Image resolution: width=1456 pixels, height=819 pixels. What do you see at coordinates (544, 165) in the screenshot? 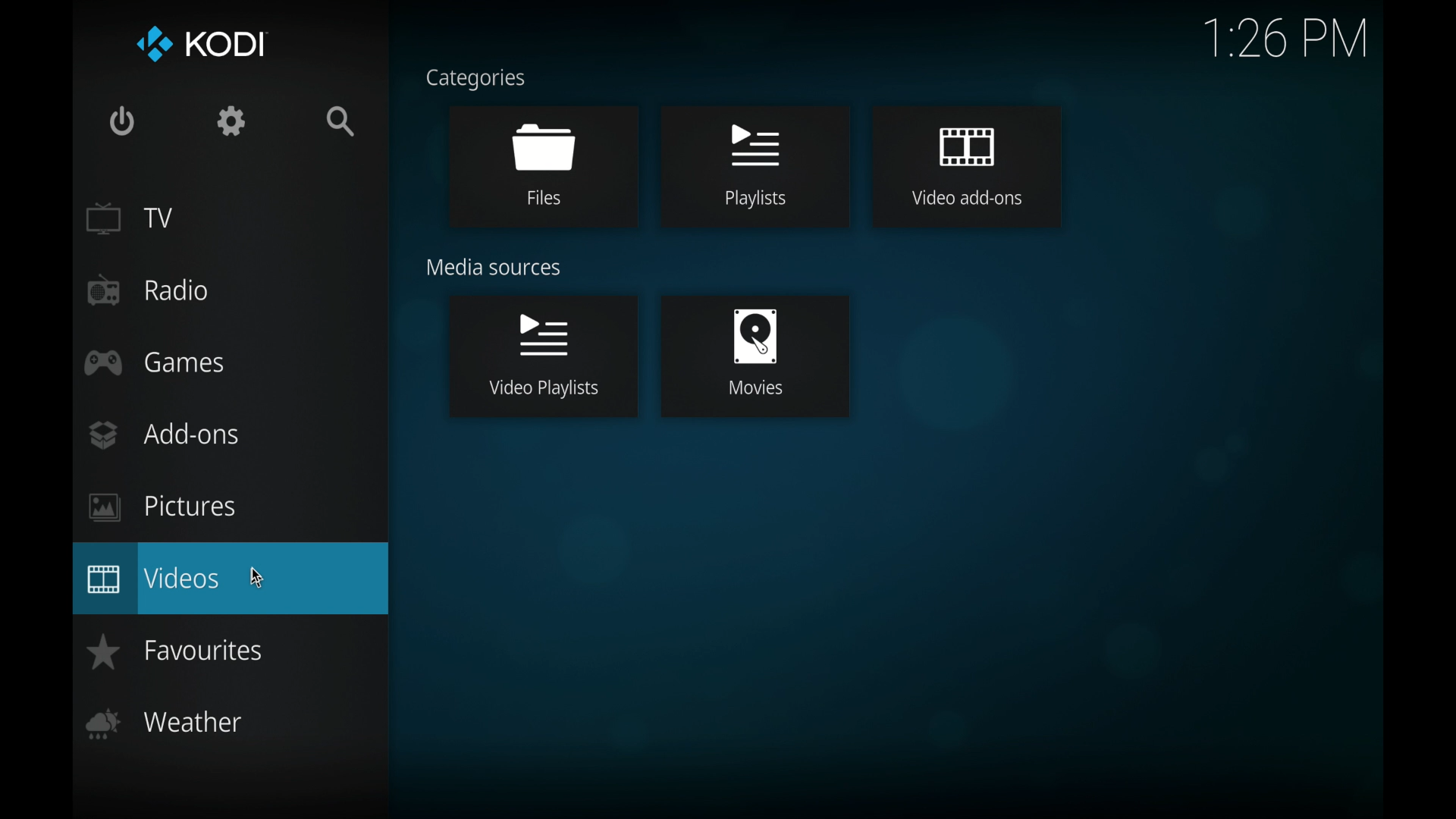
I see `files` at bounding box center [544, 165].